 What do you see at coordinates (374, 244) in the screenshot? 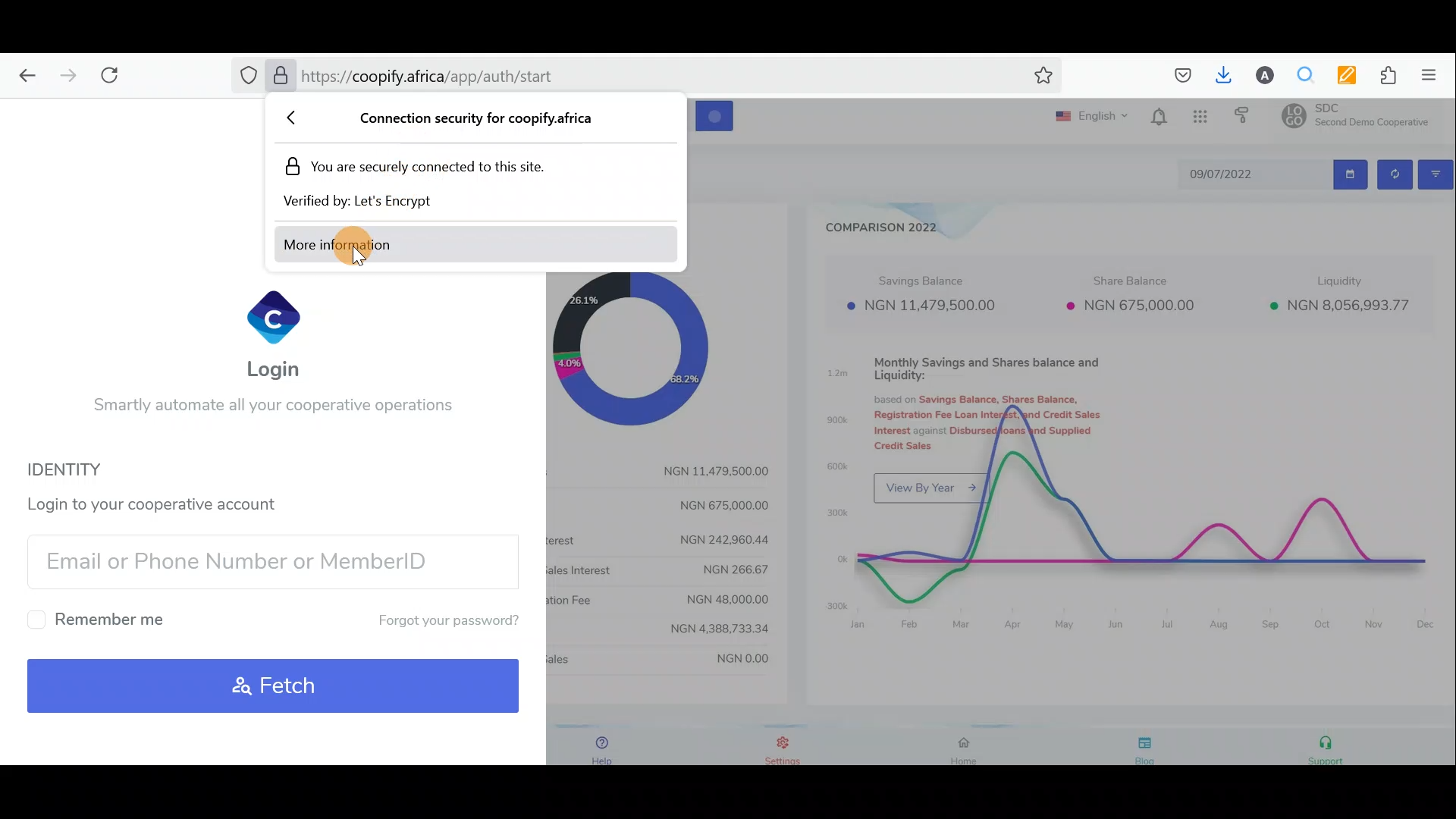
I see `More information` at bounding box center [374, 244].